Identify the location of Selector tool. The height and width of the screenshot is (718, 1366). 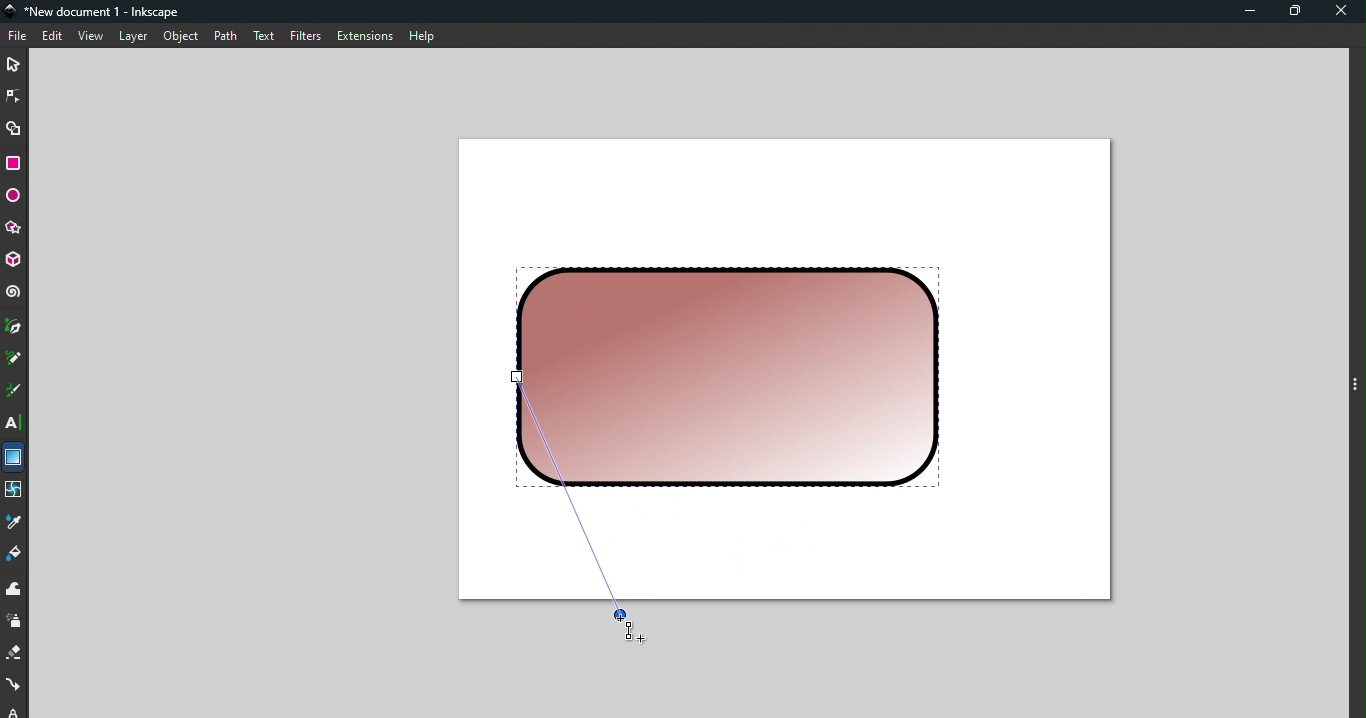
(14, 62).